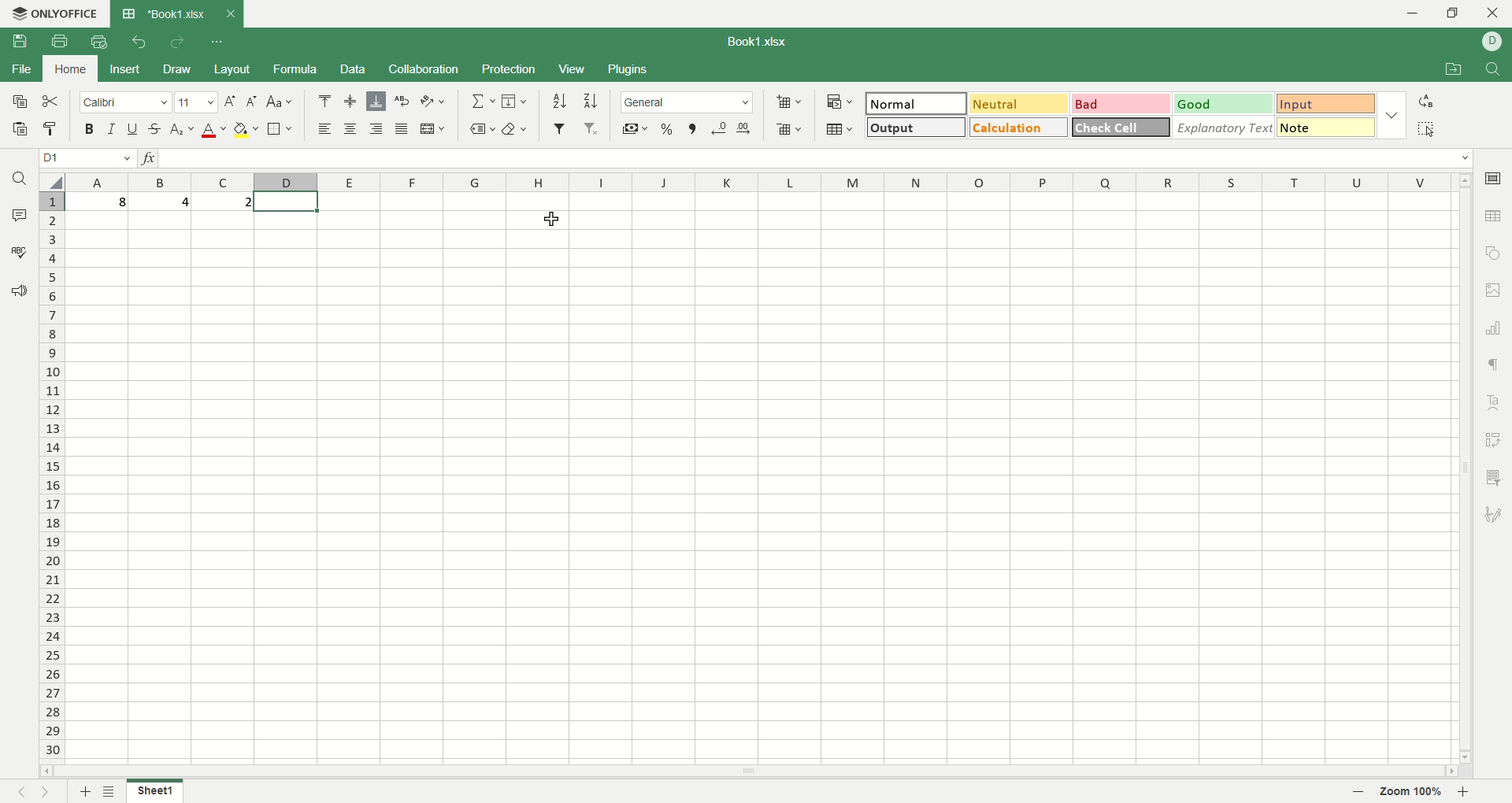 The height and width of the screenshot is (803, 1512). What do you see at coordinates (687, 102) in the screenshot?
I see `number format` at bounding box center [687, 102].